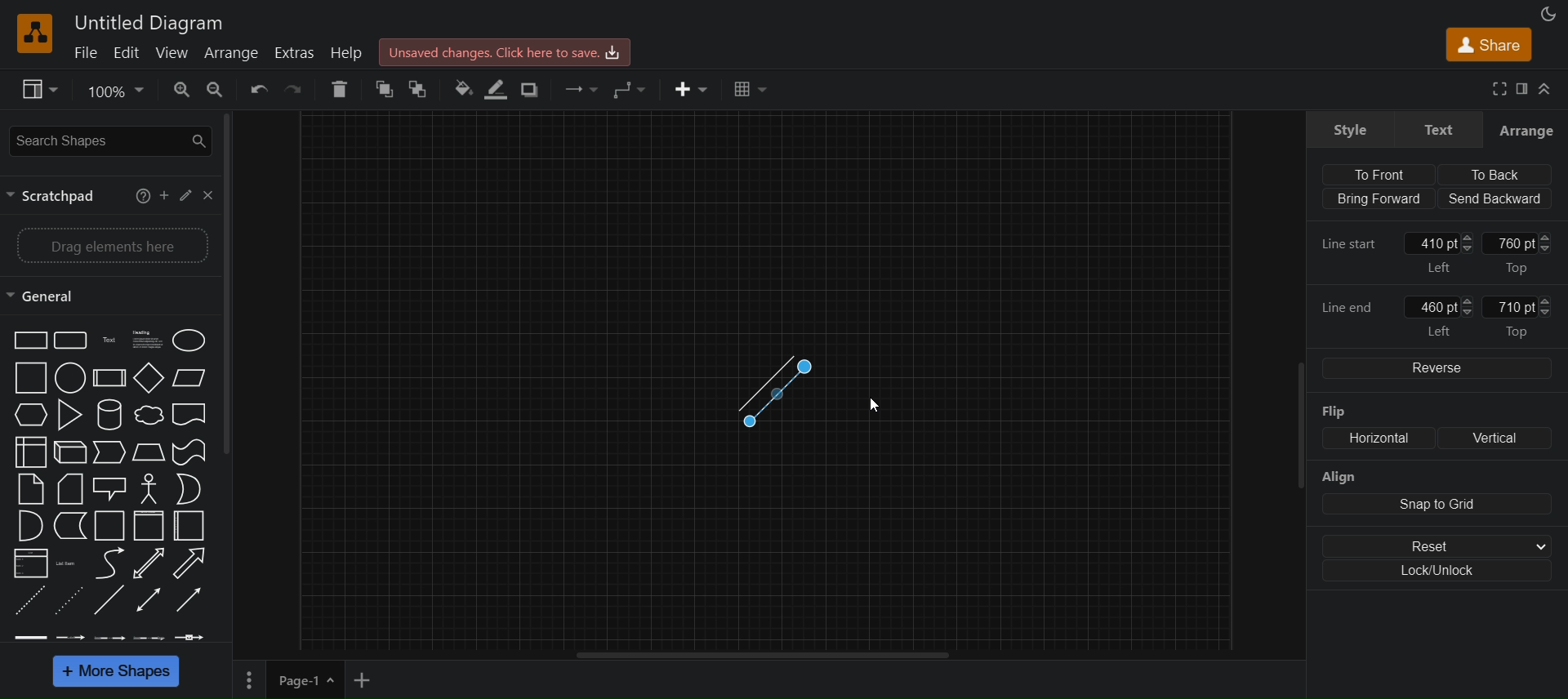  What do you see at coordinates (144, 339) in the screenshot?
I see `Text box` at bounding box center [144, 339].